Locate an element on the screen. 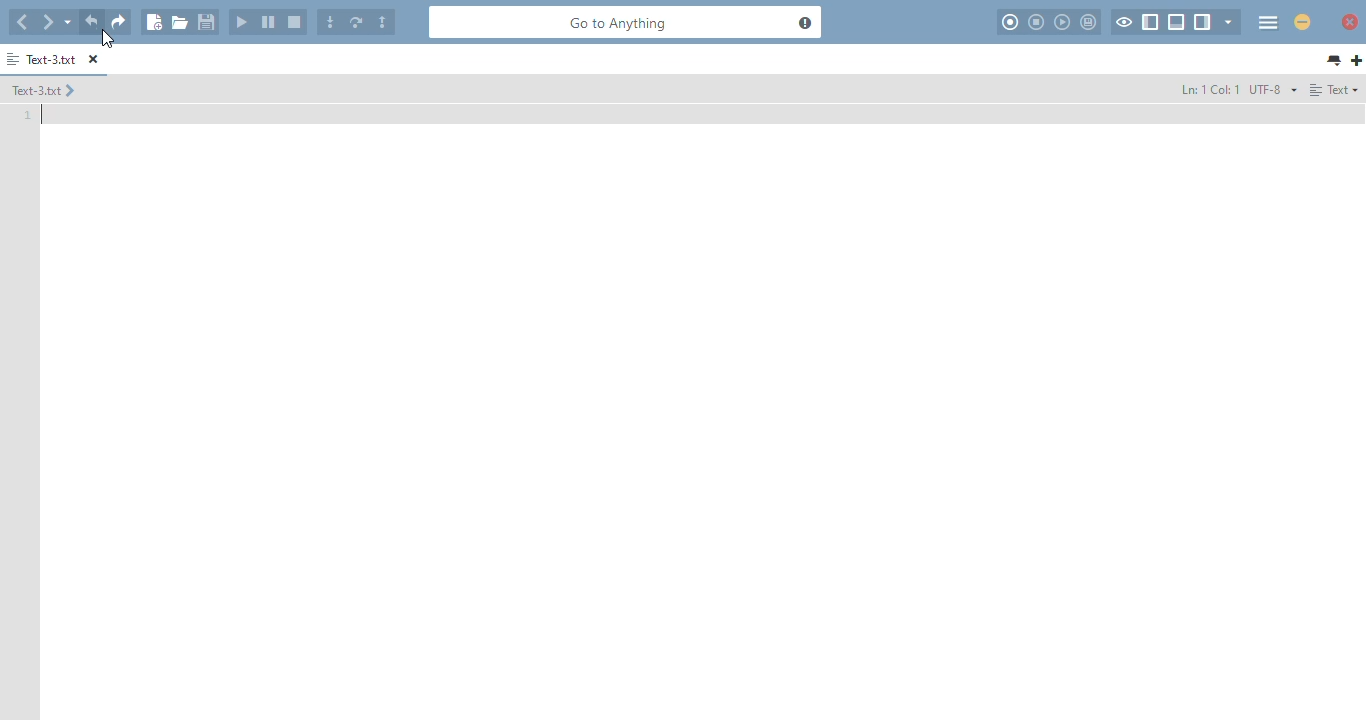  redo last action is located at coordinates (119, 22).